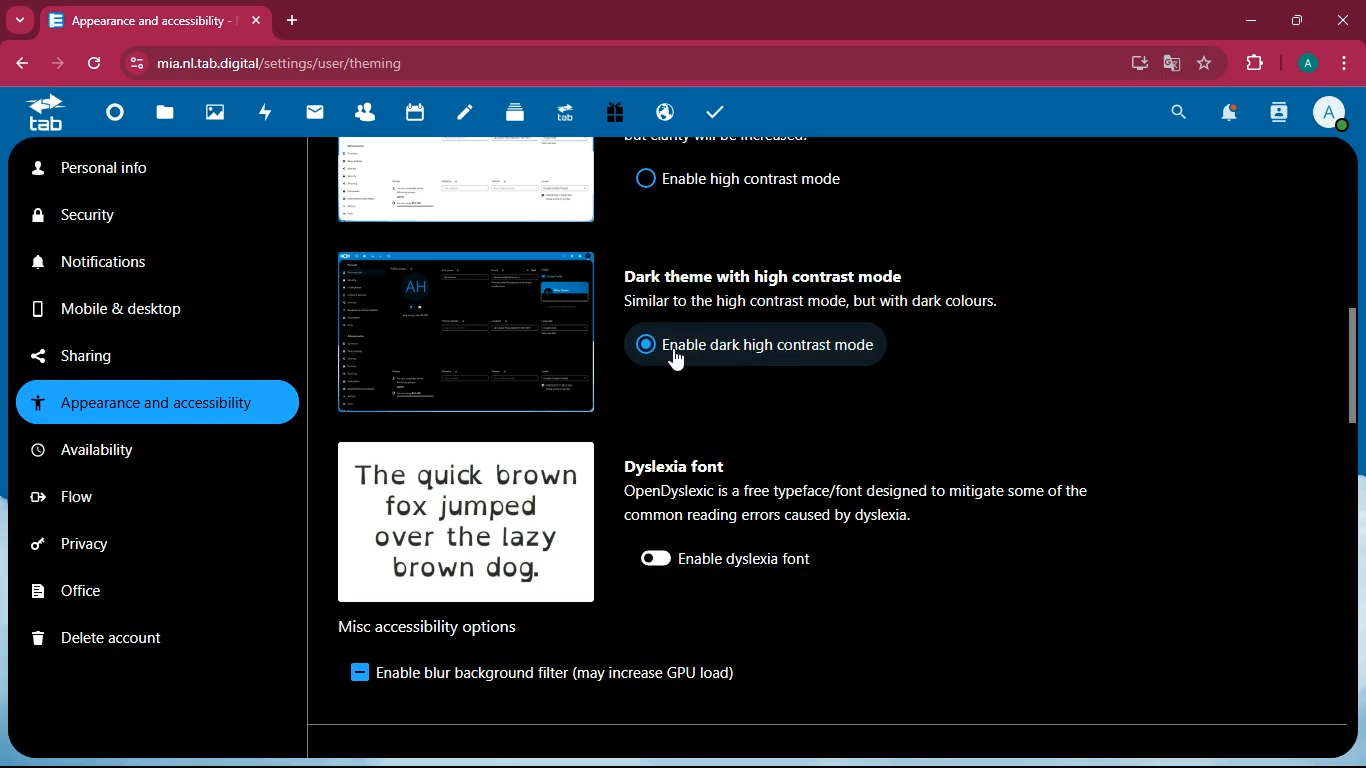 This screenshot has width=1366, height=768. I want to click on menu, so click(1347, 63).